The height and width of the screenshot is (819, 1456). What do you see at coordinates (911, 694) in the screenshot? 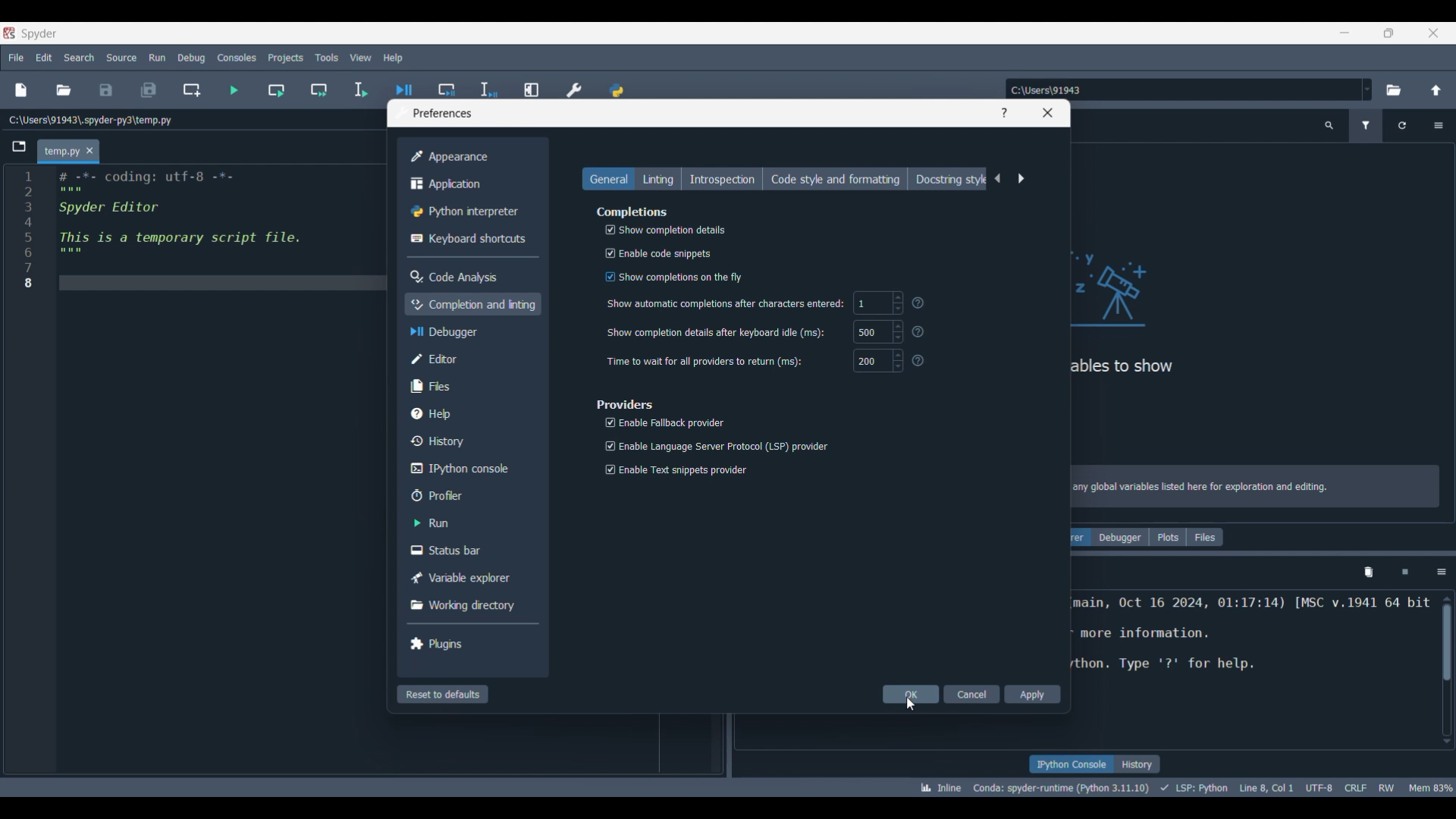
I see `OK` at bounding box center [911, 694].